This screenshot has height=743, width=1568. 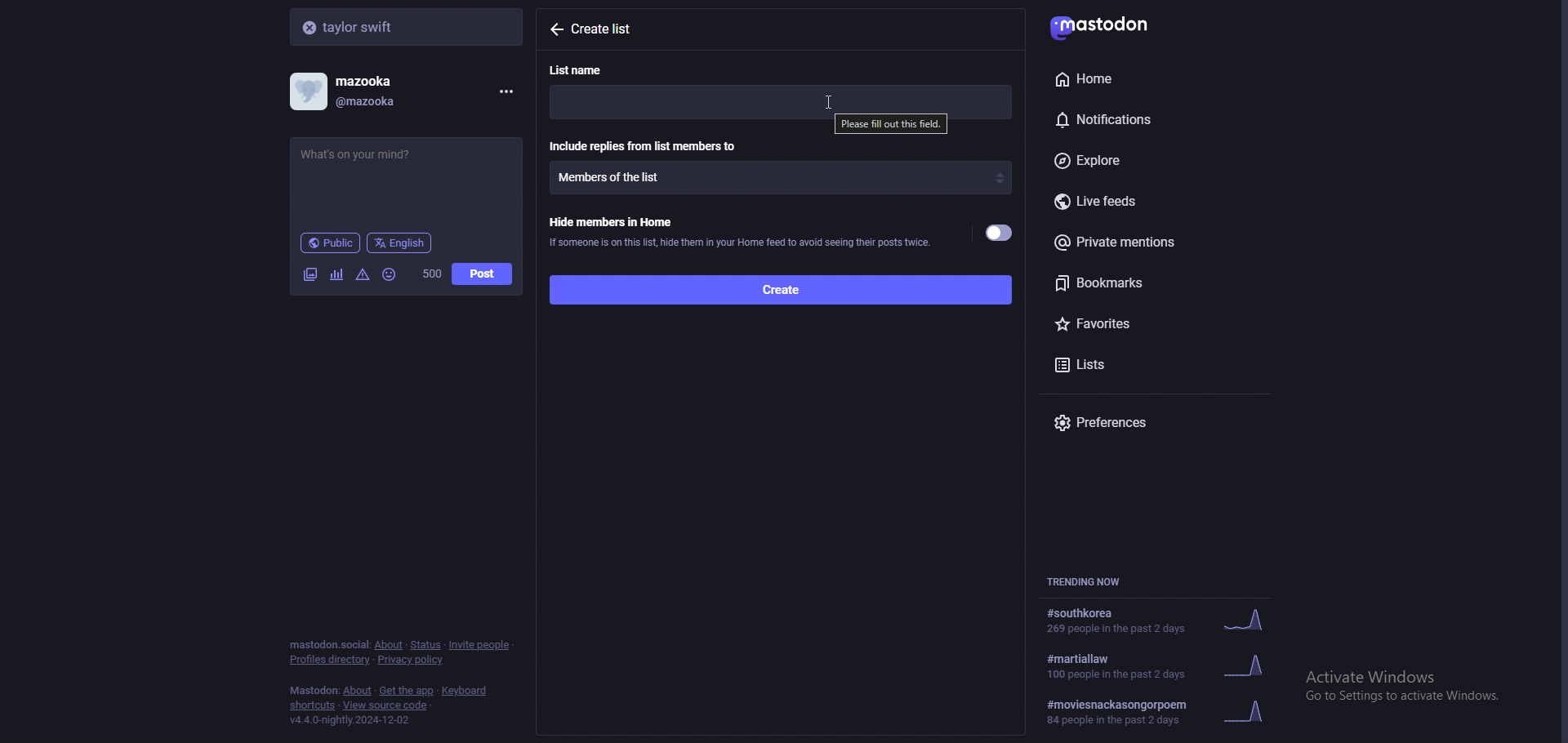 What do you see at coordinates (408, 26) in the screenshot?
I see `search bar` at bounding box center [408, 26].